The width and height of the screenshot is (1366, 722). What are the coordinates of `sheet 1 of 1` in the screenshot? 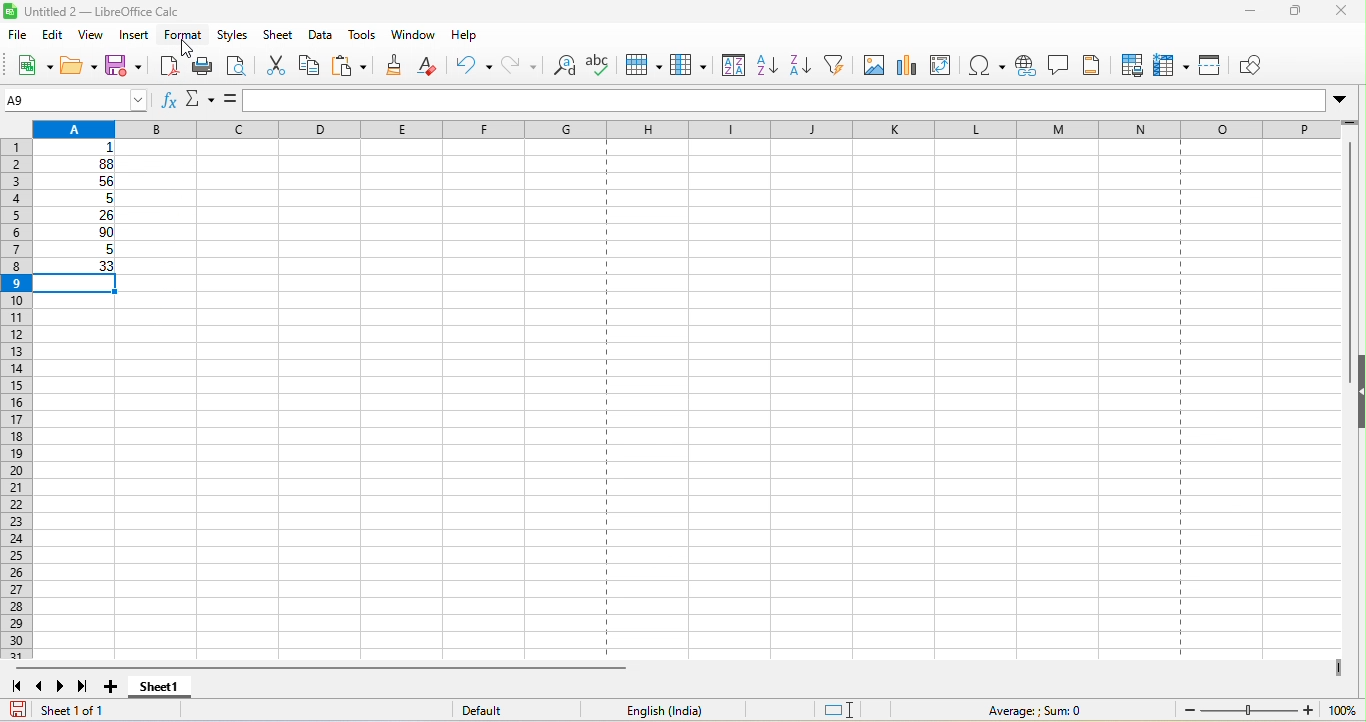 It's located at (105, 713).